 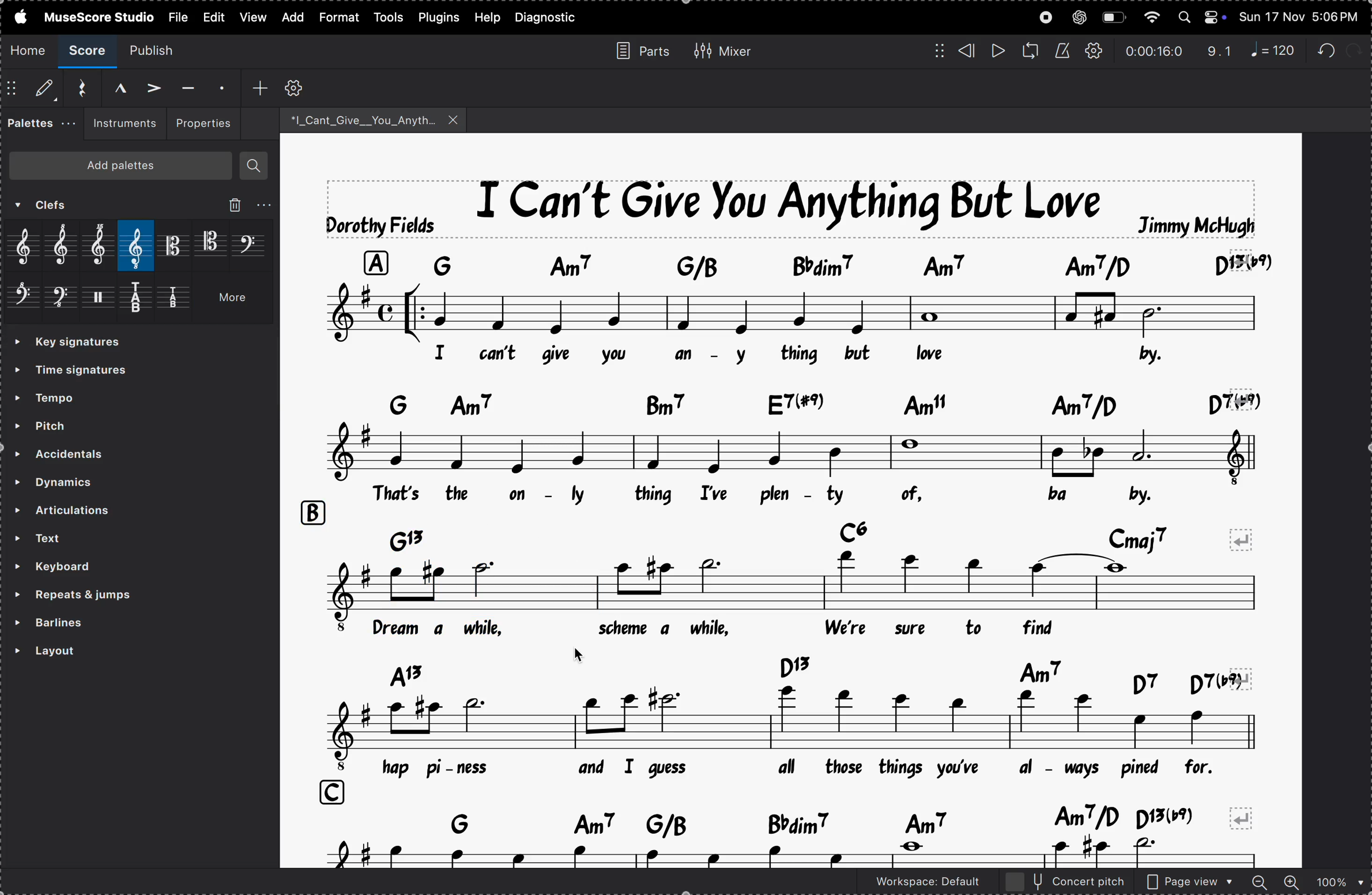 I want to click on Marcato, so click(x=110, y=87).